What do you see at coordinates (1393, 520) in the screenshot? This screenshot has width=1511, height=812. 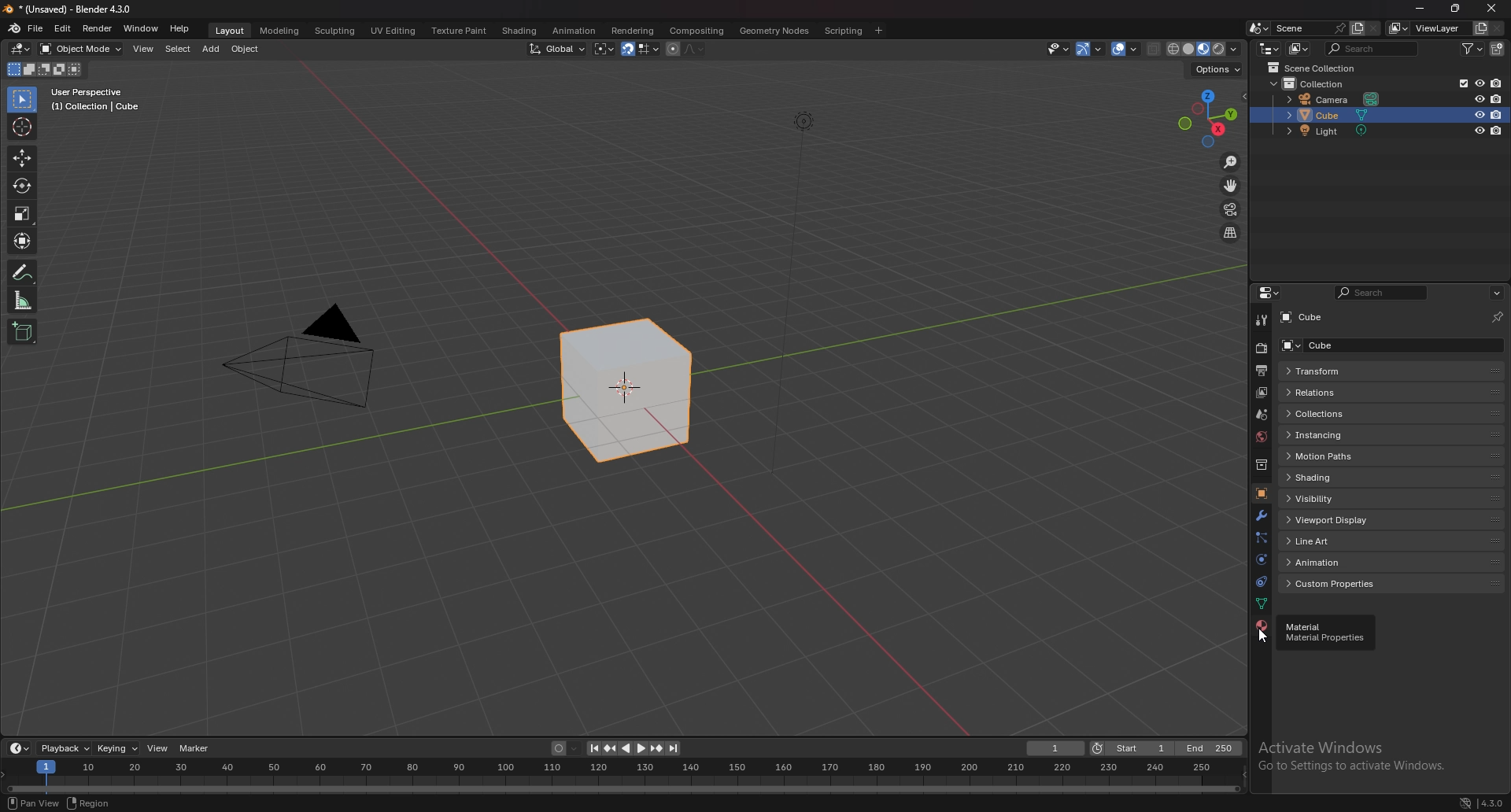 I see `viewport display` at bounding box center [1393, 520].